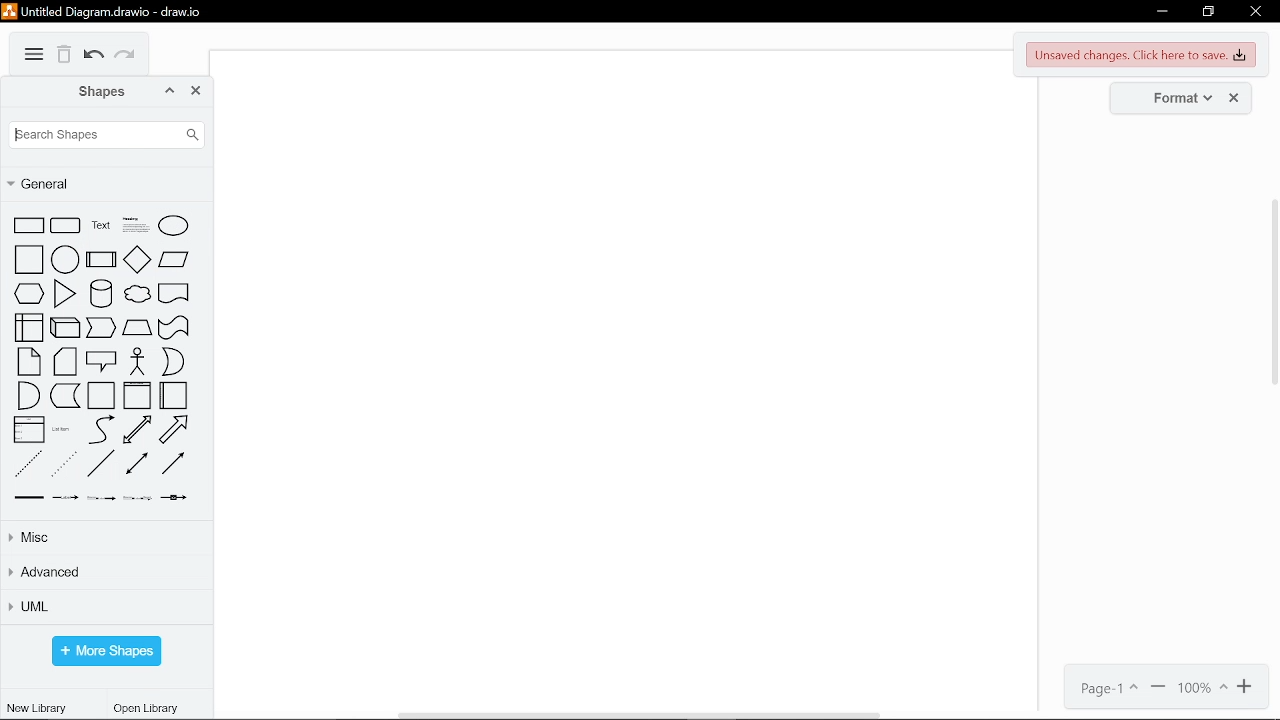 The width and height of the screenshot is (1280, 720). What do you see at coordinates (174, 228) in the screenshot?
I see `ellipse` at bounding box center [174, 228].